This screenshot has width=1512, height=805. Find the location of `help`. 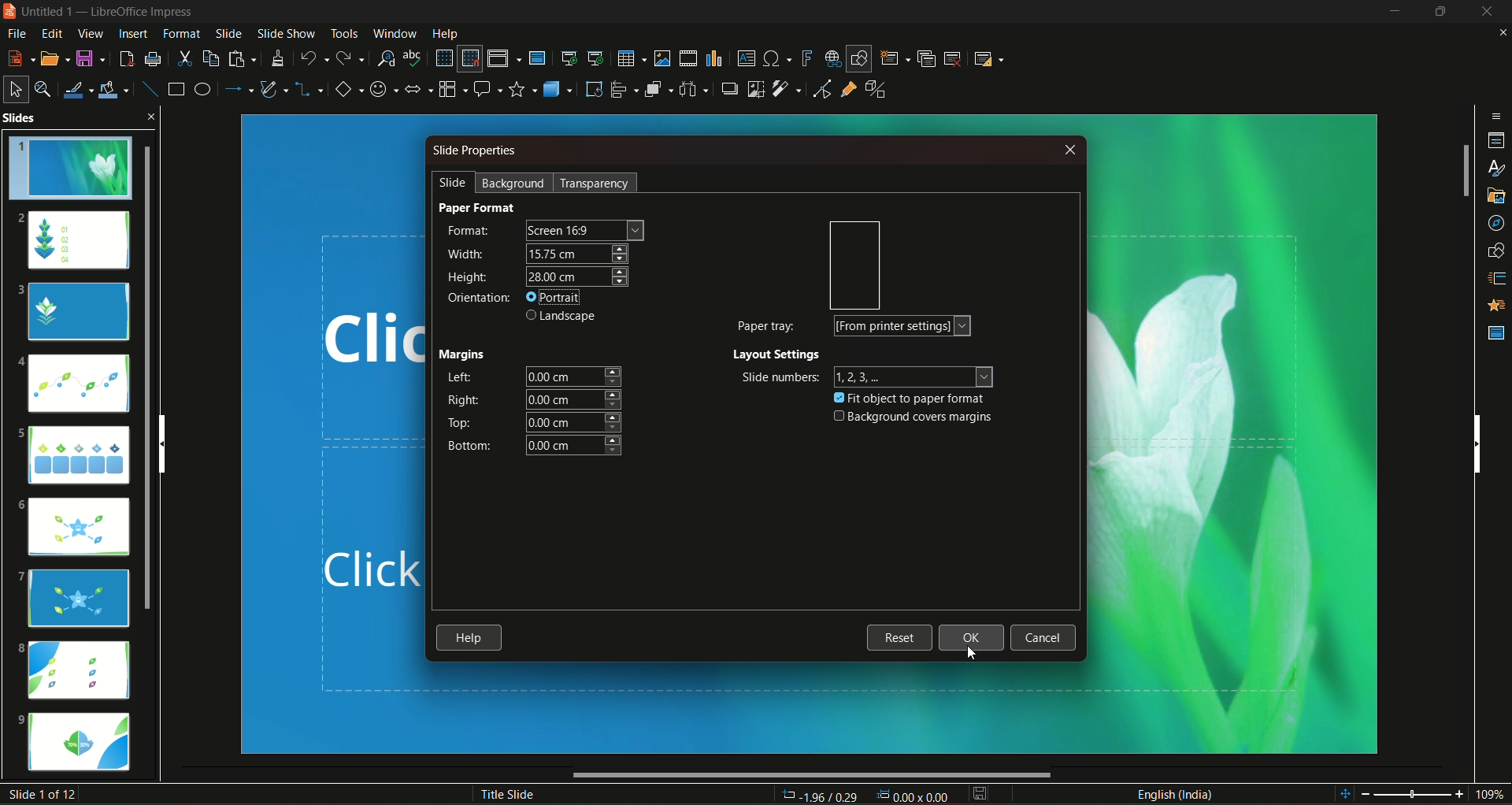

help is located at coordinates (470, 639).